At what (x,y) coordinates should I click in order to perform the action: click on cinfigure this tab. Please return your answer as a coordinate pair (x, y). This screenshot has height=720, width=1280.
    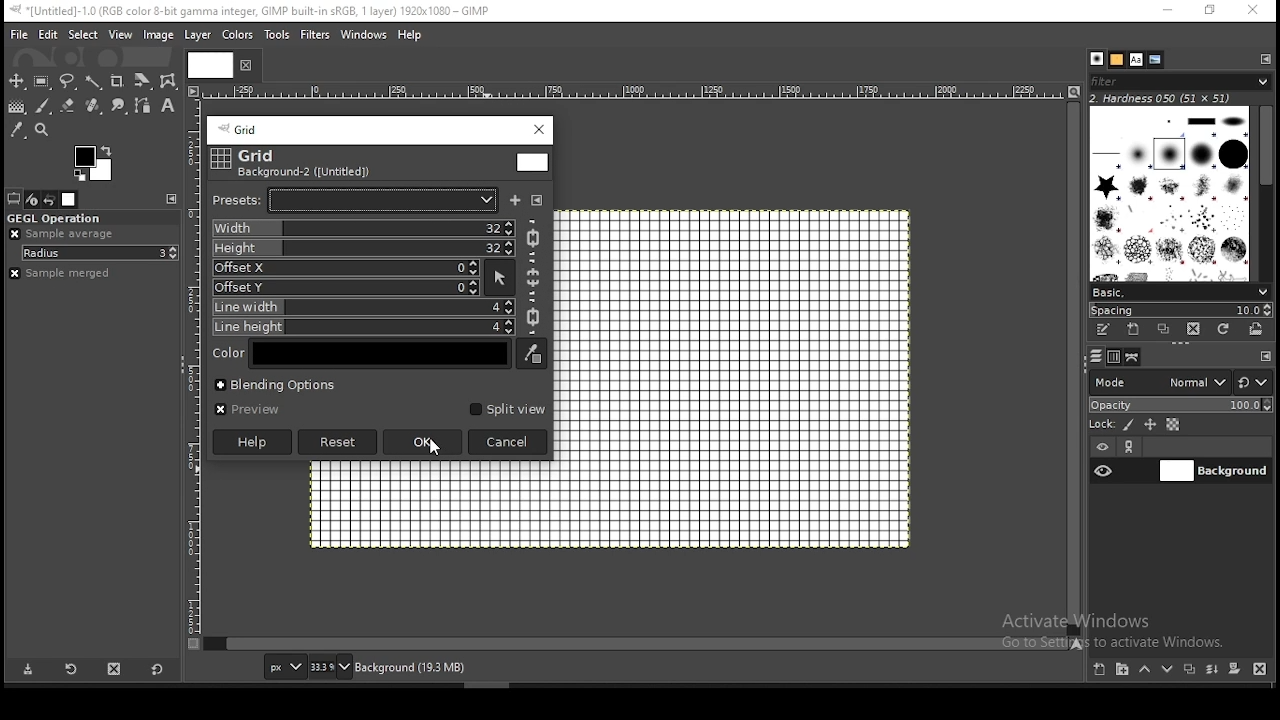
    Looking at the image, I should click on (1266, 60).